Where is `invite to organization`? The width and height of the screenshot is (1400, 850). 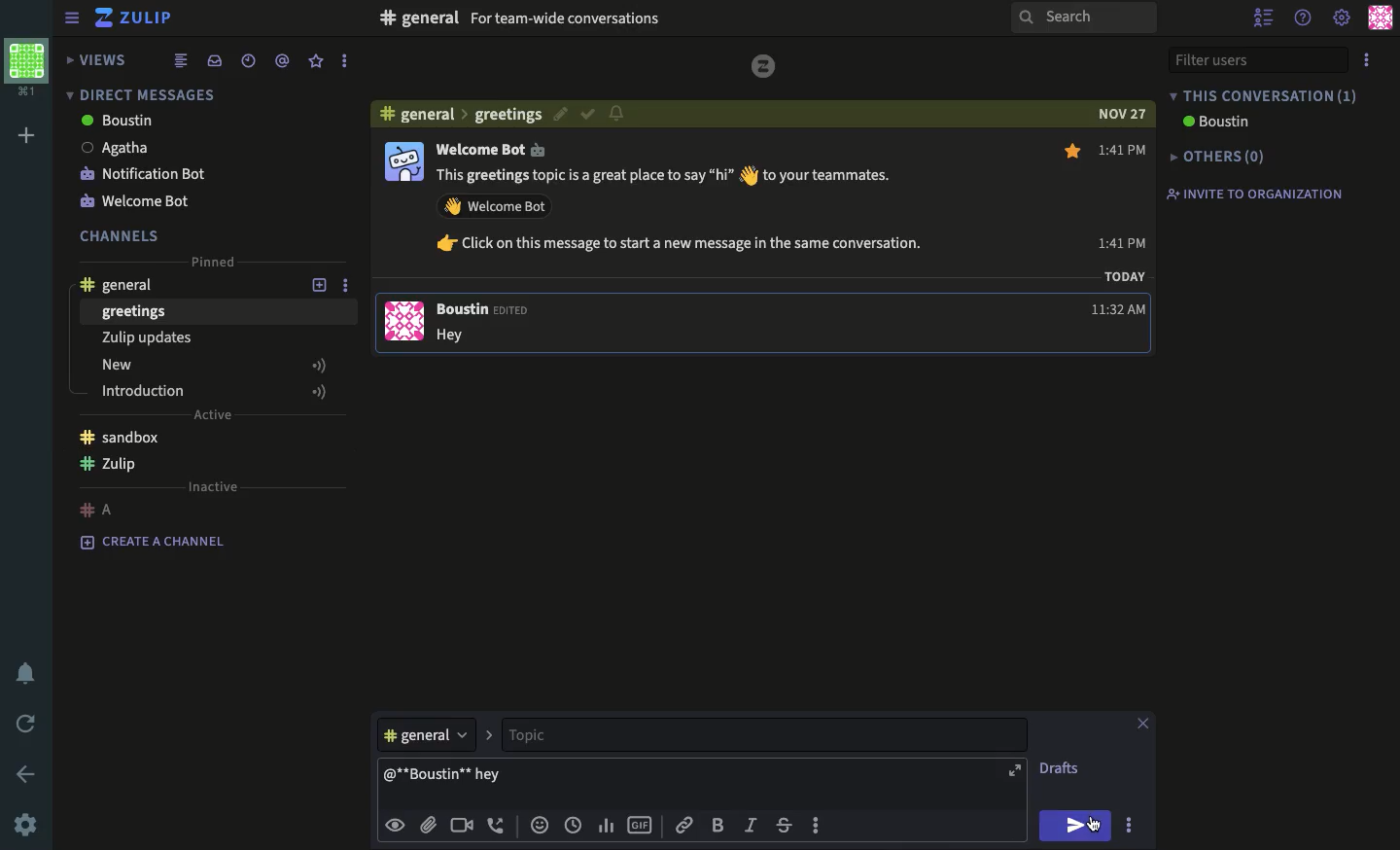 invite to organization is located at coordinates (1251, 192).